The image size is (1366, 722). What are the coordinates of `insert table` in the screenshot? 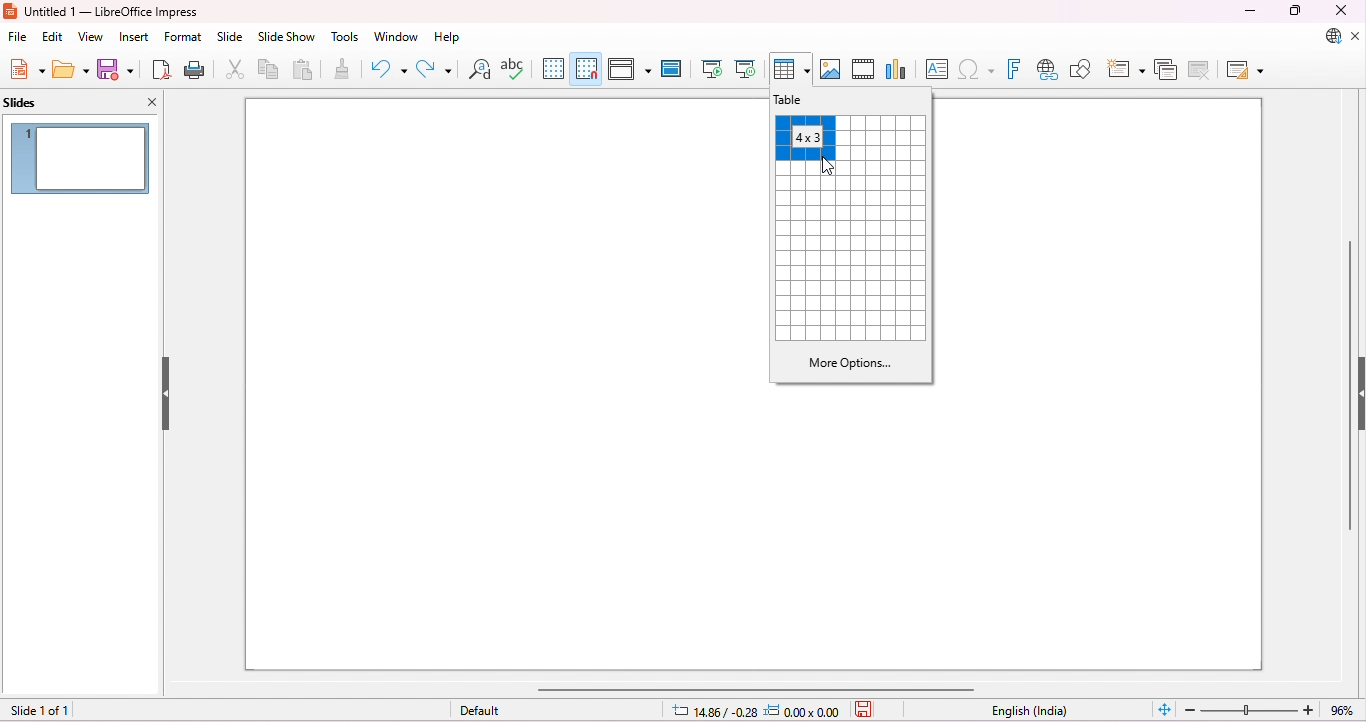 It's located at (791, 69).